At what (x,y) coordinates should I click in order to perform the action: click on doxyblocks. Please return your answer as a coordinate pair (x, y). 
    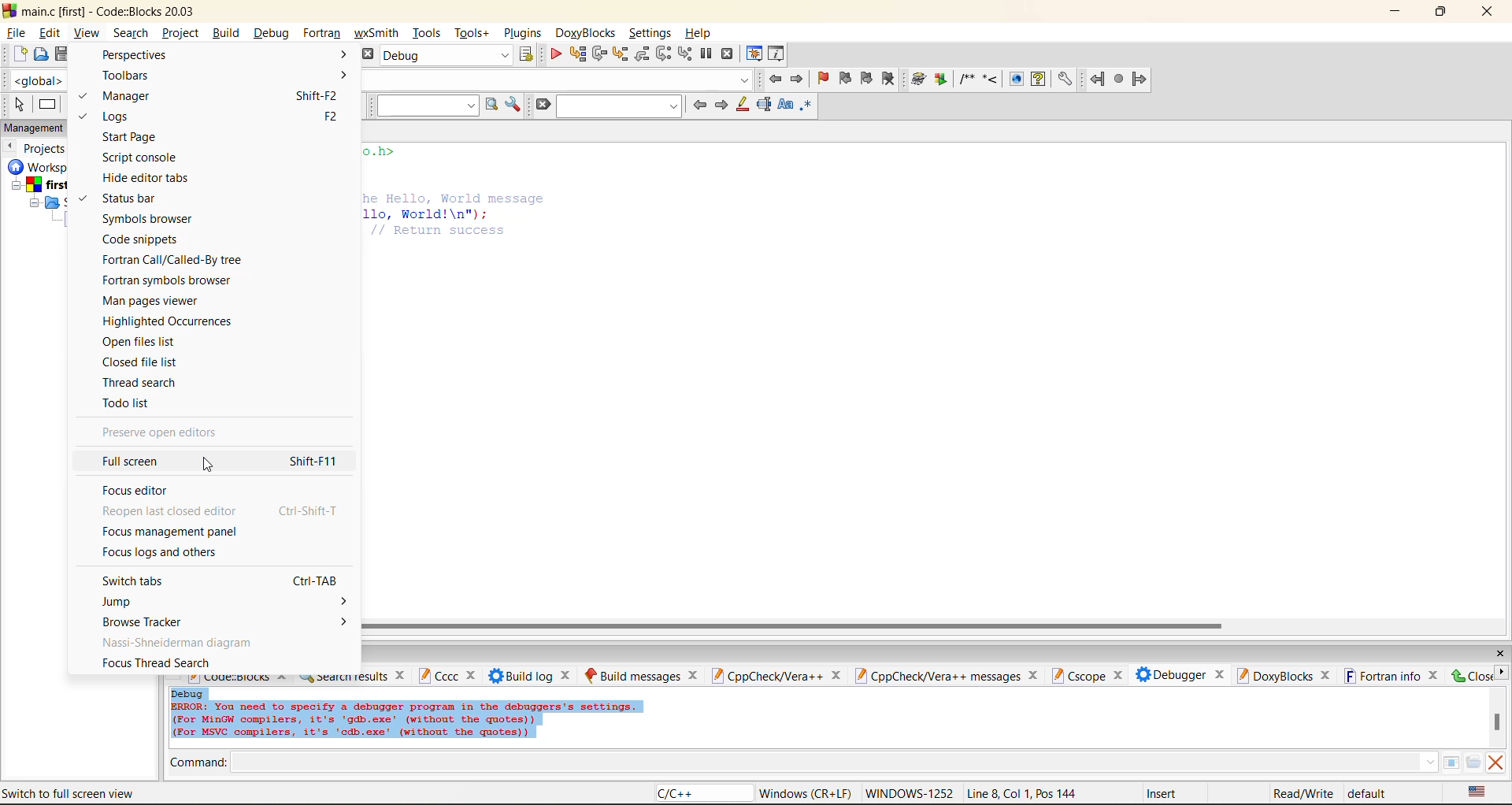
    Looking at the image, I should click on (586, 32).